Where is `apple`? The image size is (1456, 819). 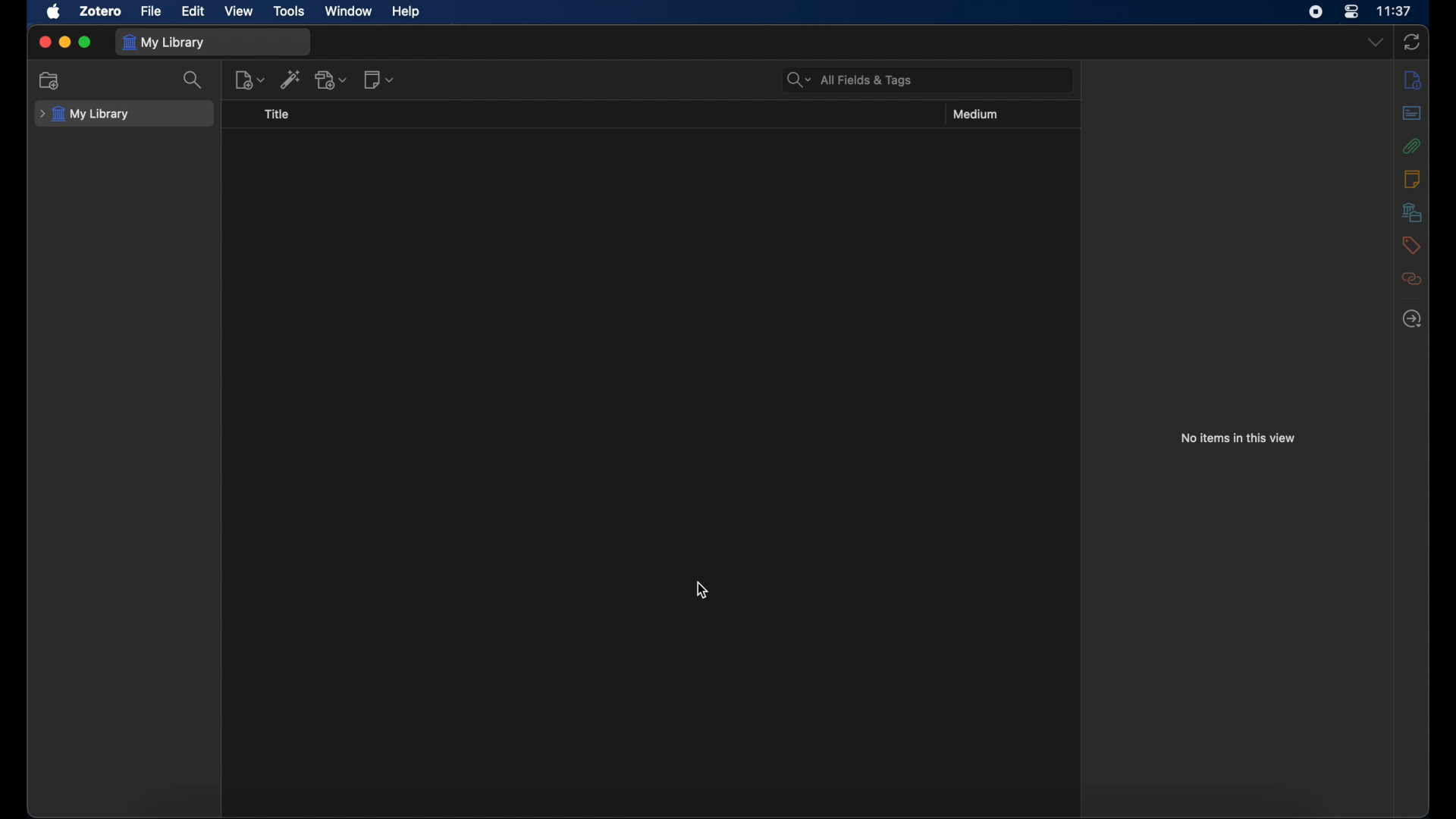 apple is located at coordinates (55, 11).